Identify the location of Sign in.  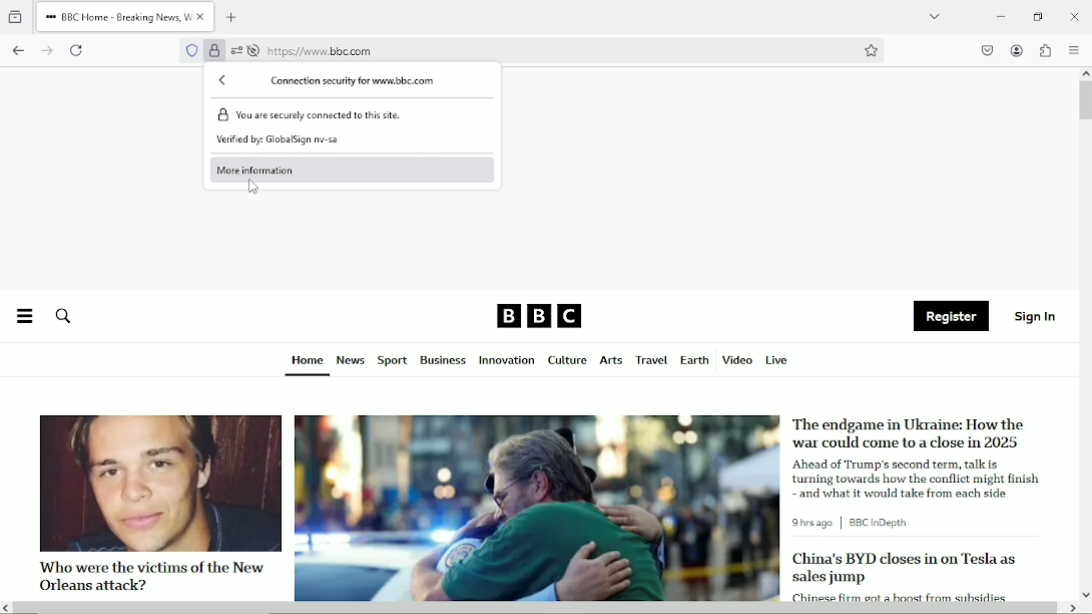
(1036, 315).